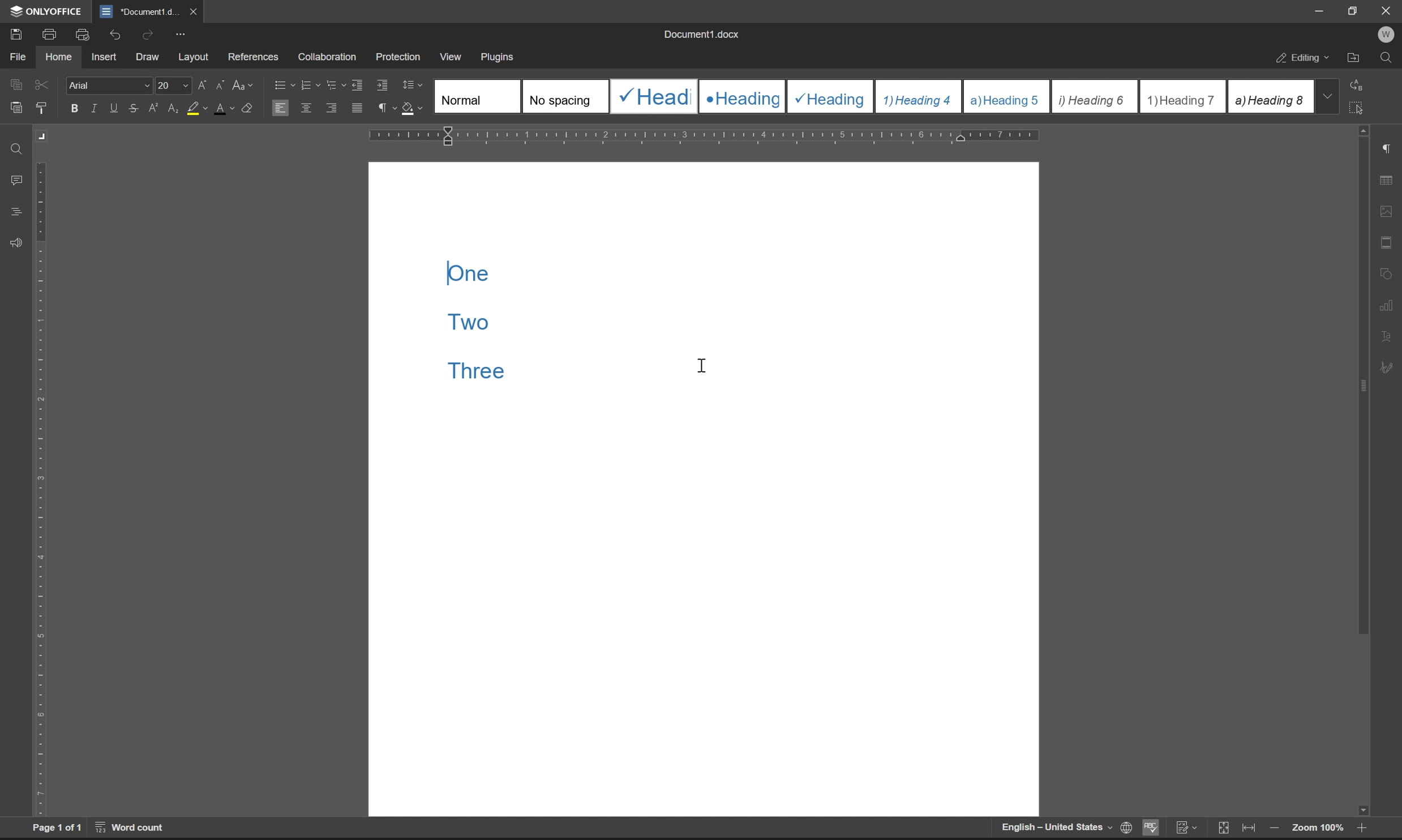  I want to click on header & footer settings, so click(1386, 242).